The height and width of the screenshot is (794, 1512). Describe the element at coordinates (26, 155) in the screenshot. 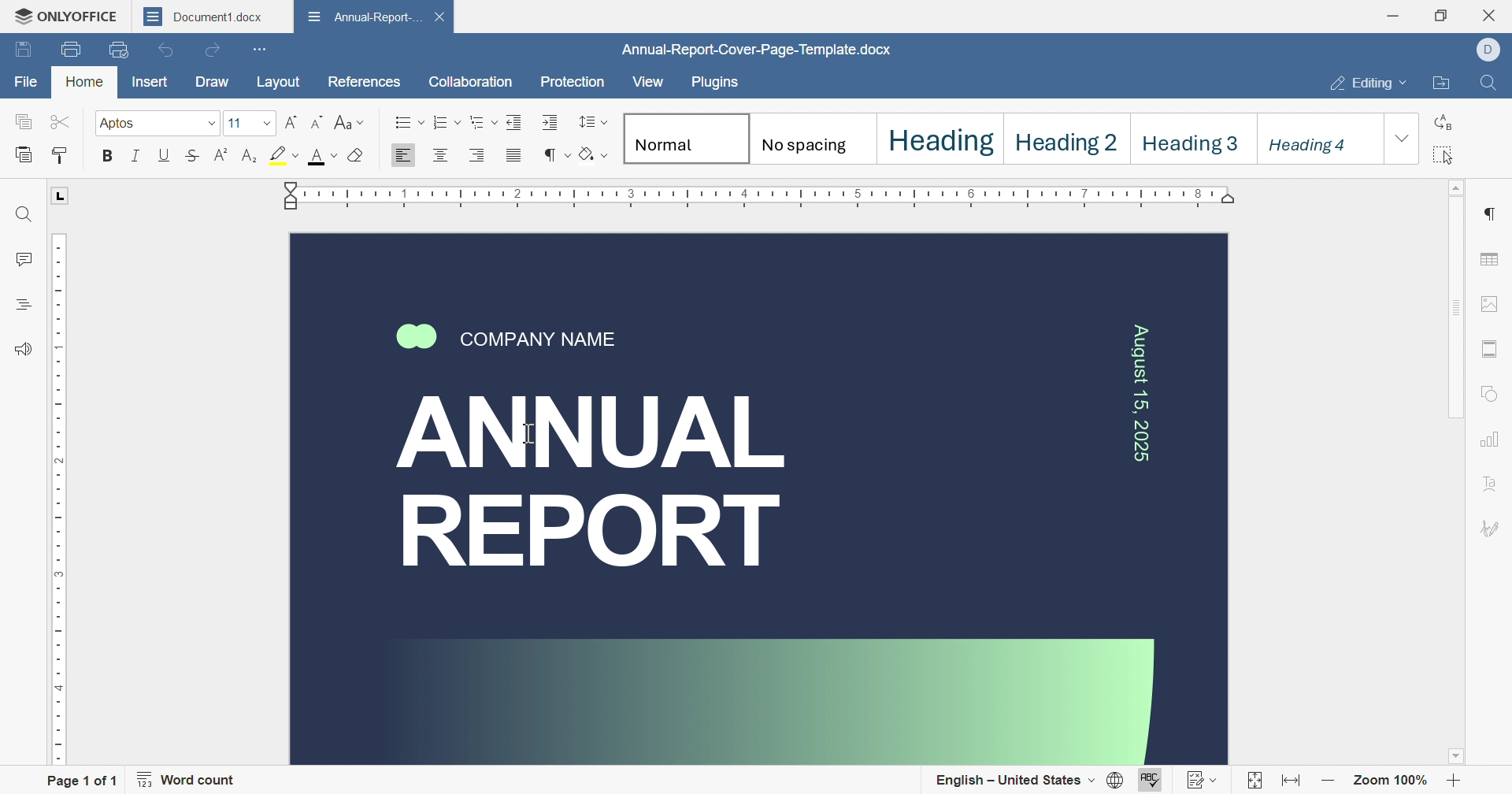

I see `paste` at that location.